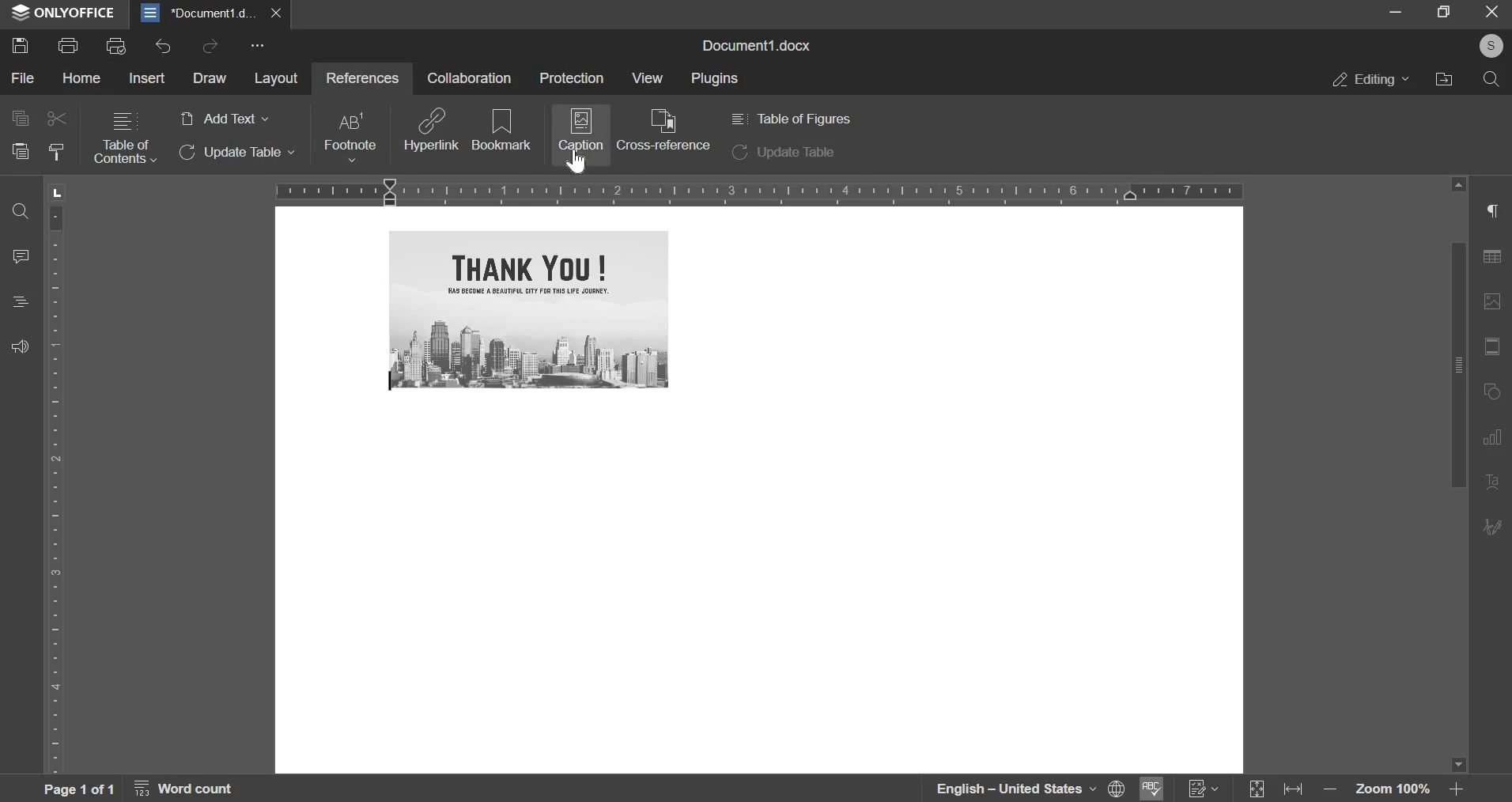 The image size is (1512, 802). What do you see at coordinates (1493, 13) in the screenshot?
I see `exit` at bounding box center [1493, 13].